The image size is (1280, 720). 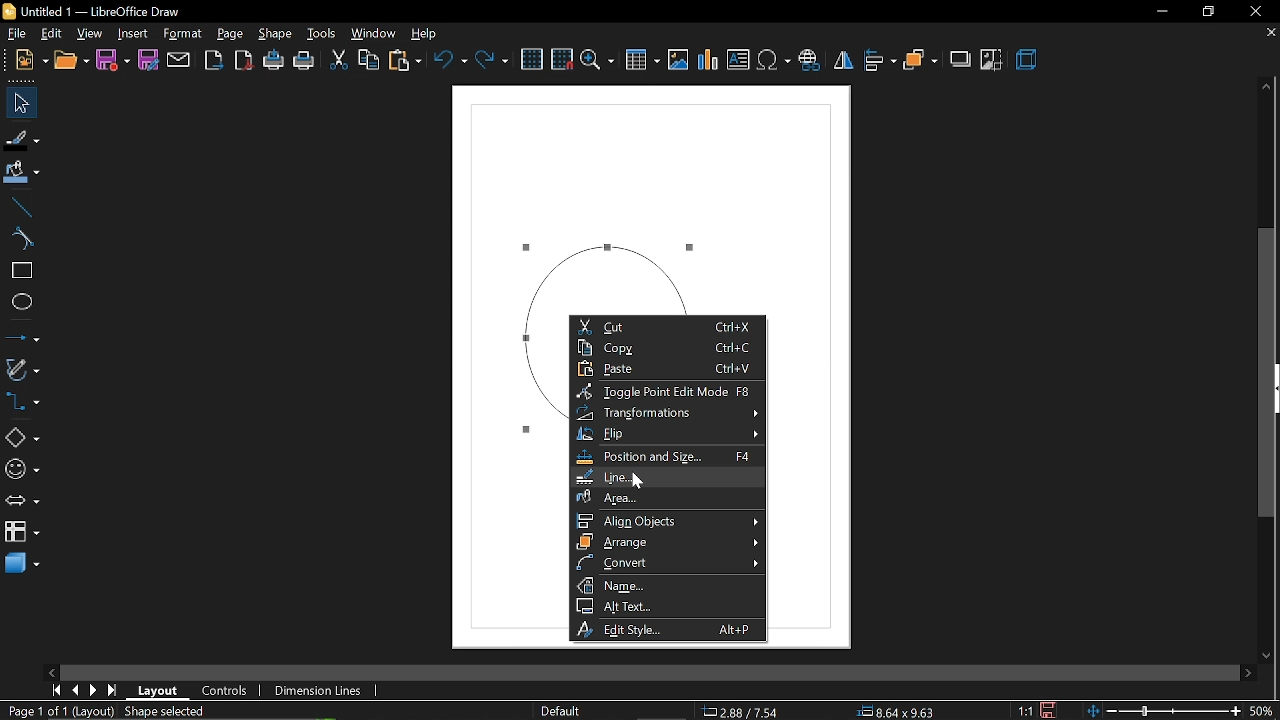 What do you see at coordinates (94, 689) in the screenshot?
I see `next page` at bounding box center [94, 689].